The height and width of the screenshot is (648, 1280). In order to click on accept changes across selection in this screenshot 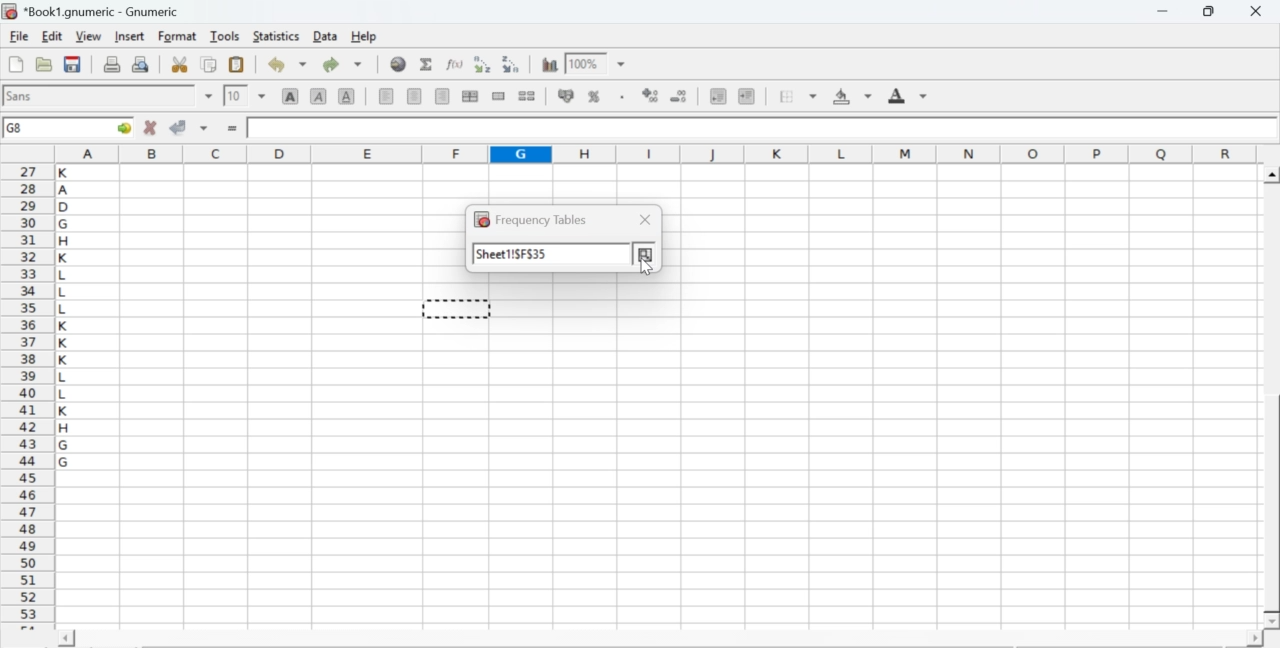, I will do `click(203, 127)`.